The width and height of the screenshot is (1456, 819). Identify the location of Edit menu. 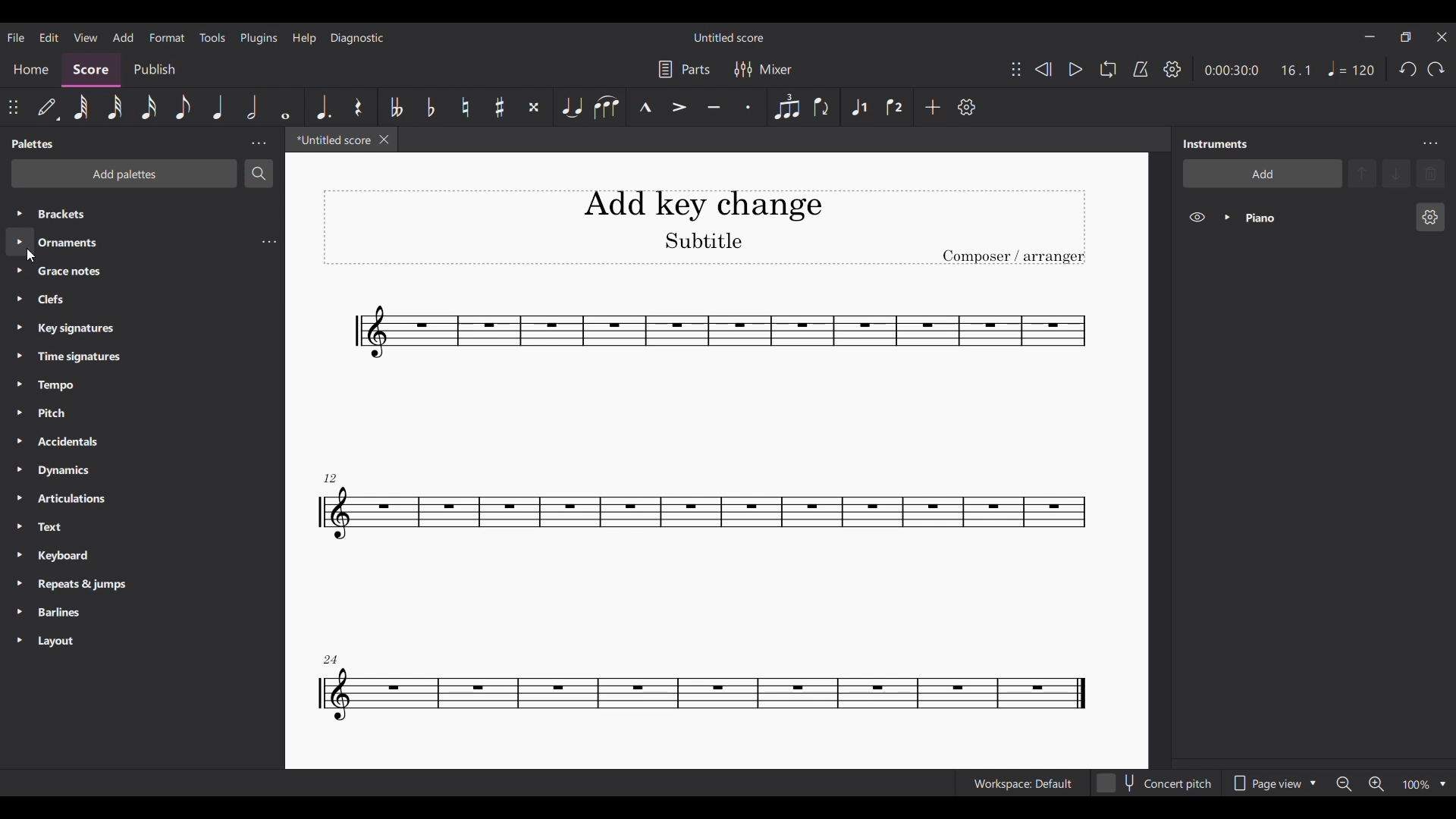
(49, 36).